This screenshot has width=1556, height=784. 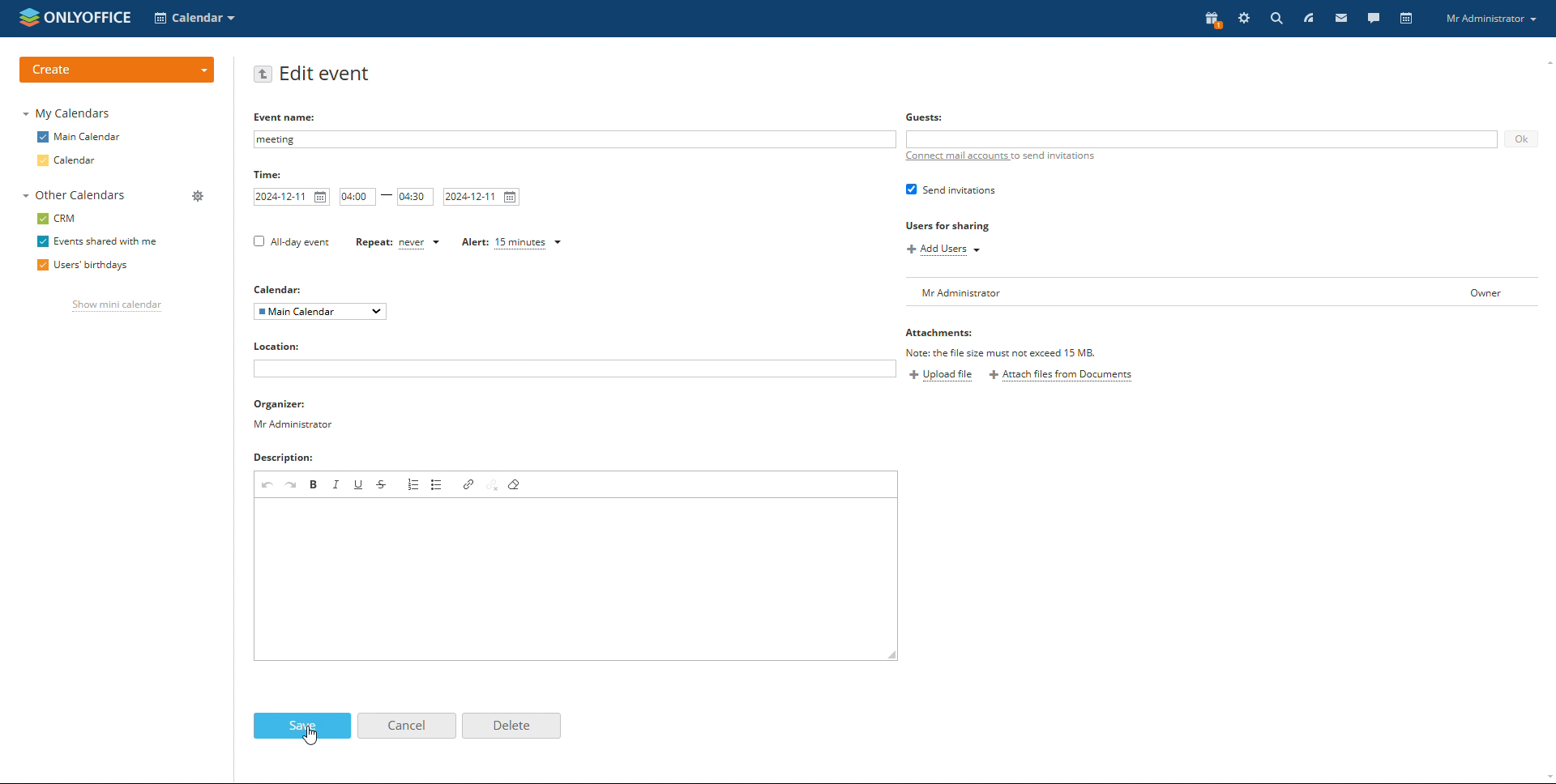 What do you see at coordinates (891, 655) in the screenshot?
I see `resize` at bounding box center [891, 655].